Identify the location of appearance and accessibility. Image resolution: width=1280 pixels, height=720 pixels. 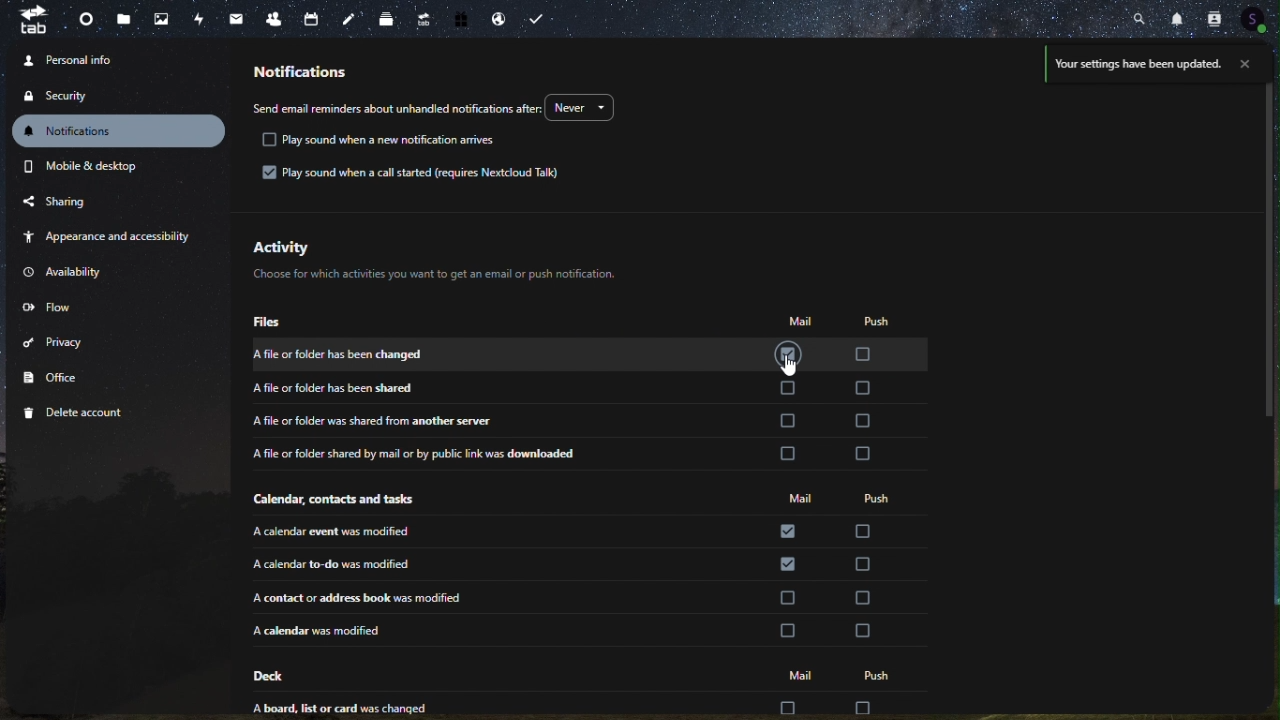
(113, 237).